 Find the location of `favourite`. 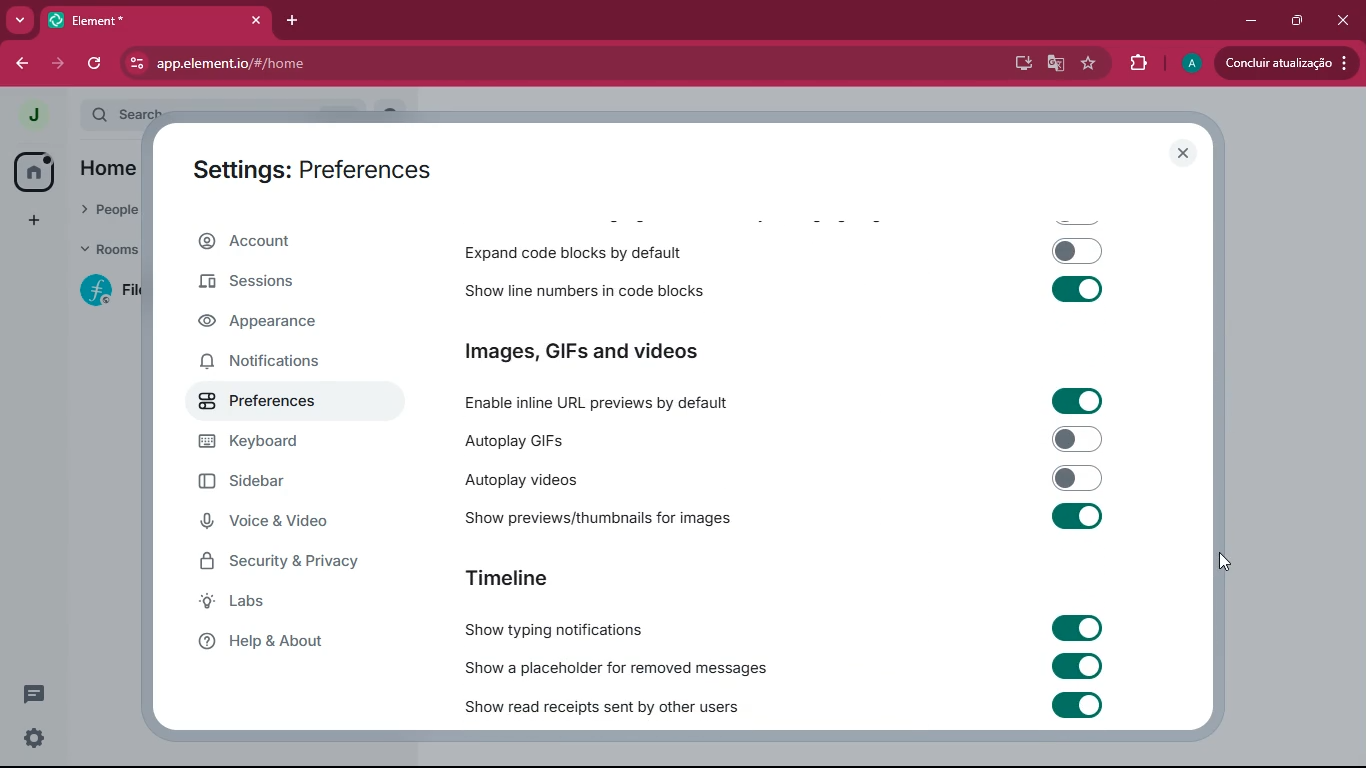

favourite is located at coordinates (1093, 64).